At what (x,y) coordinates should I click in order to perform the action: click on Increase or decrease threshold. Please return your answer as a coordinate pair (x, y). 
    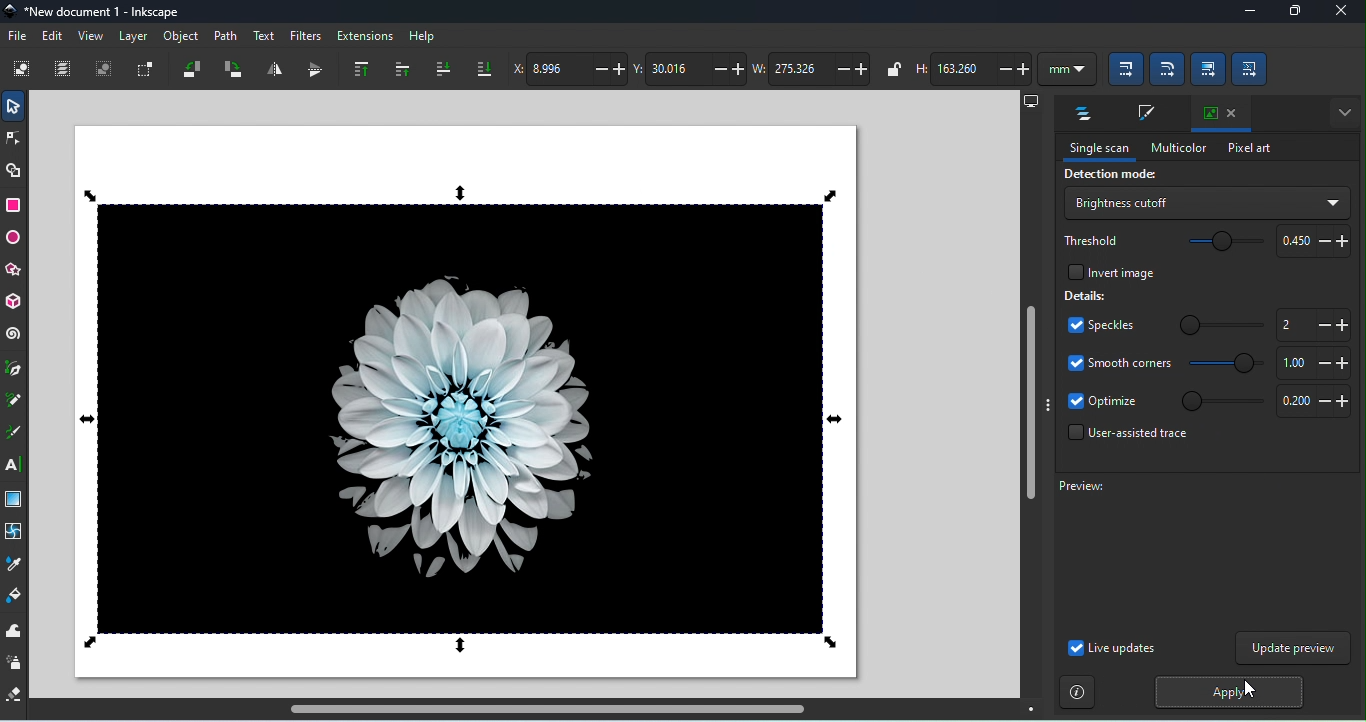
    Looking at the image, I should click on (1311, 241).